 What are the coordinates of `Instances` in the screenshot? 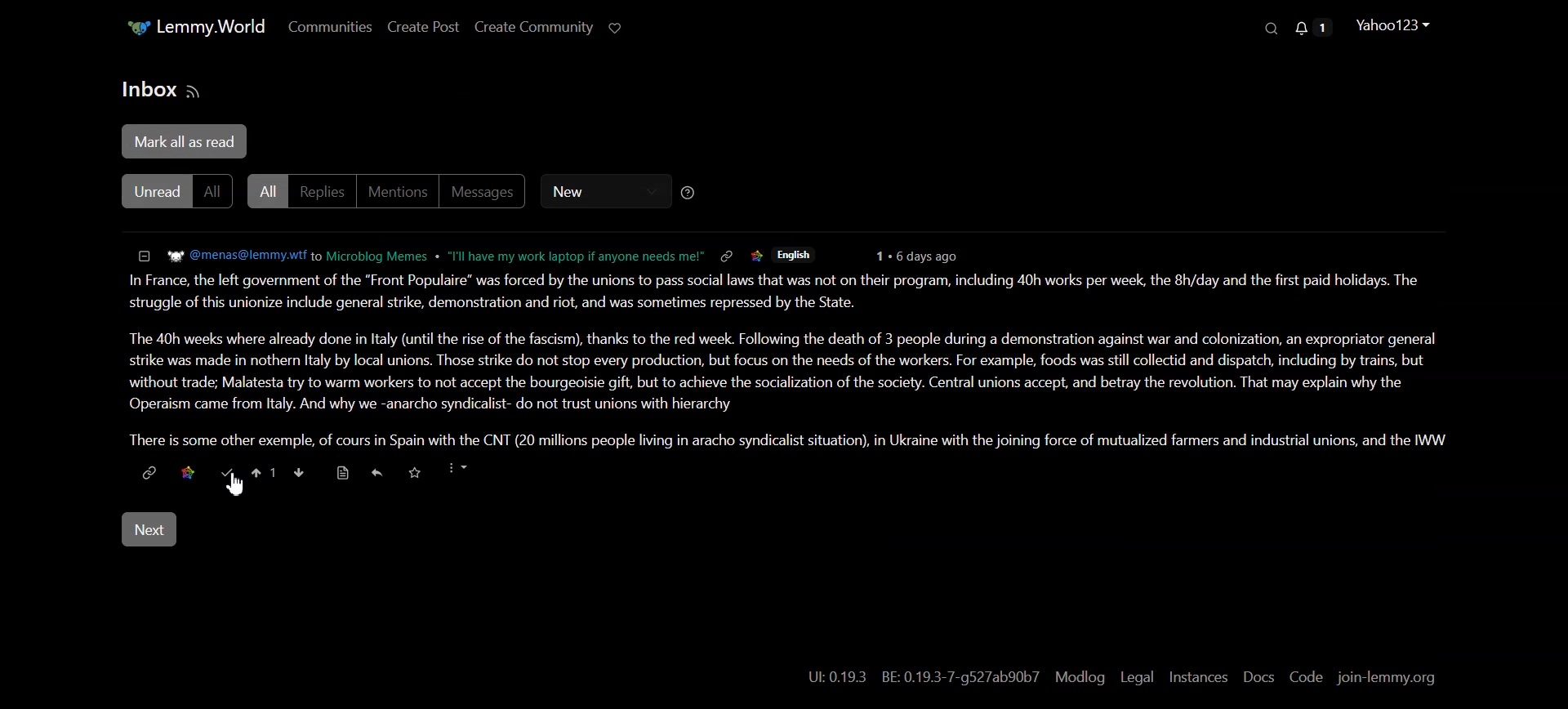 It's located at (1199, 678).